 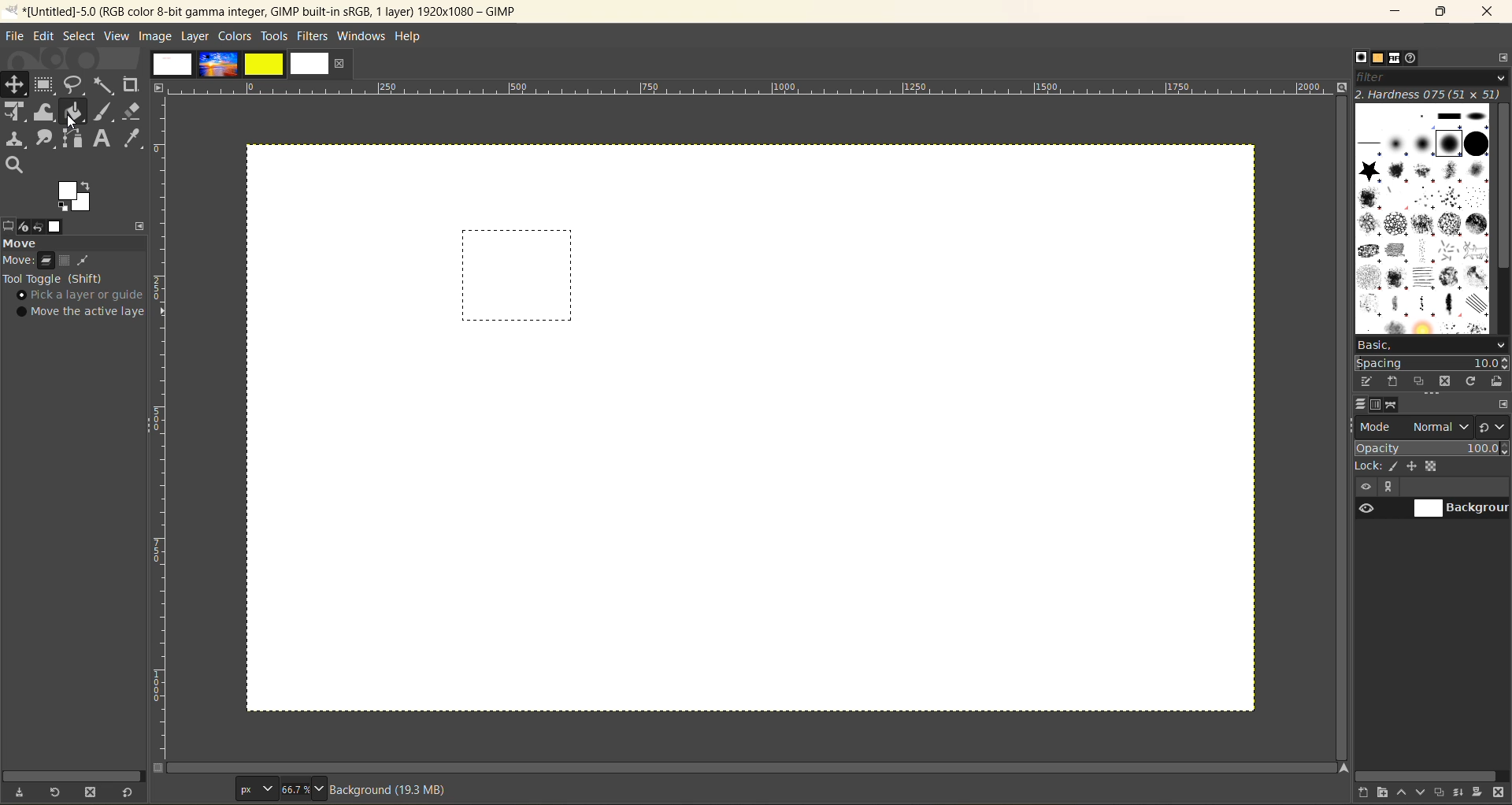 What do you see at coordinates (754, 90) in the screenshot?
I see `scale` at bounding box center [754, 90].